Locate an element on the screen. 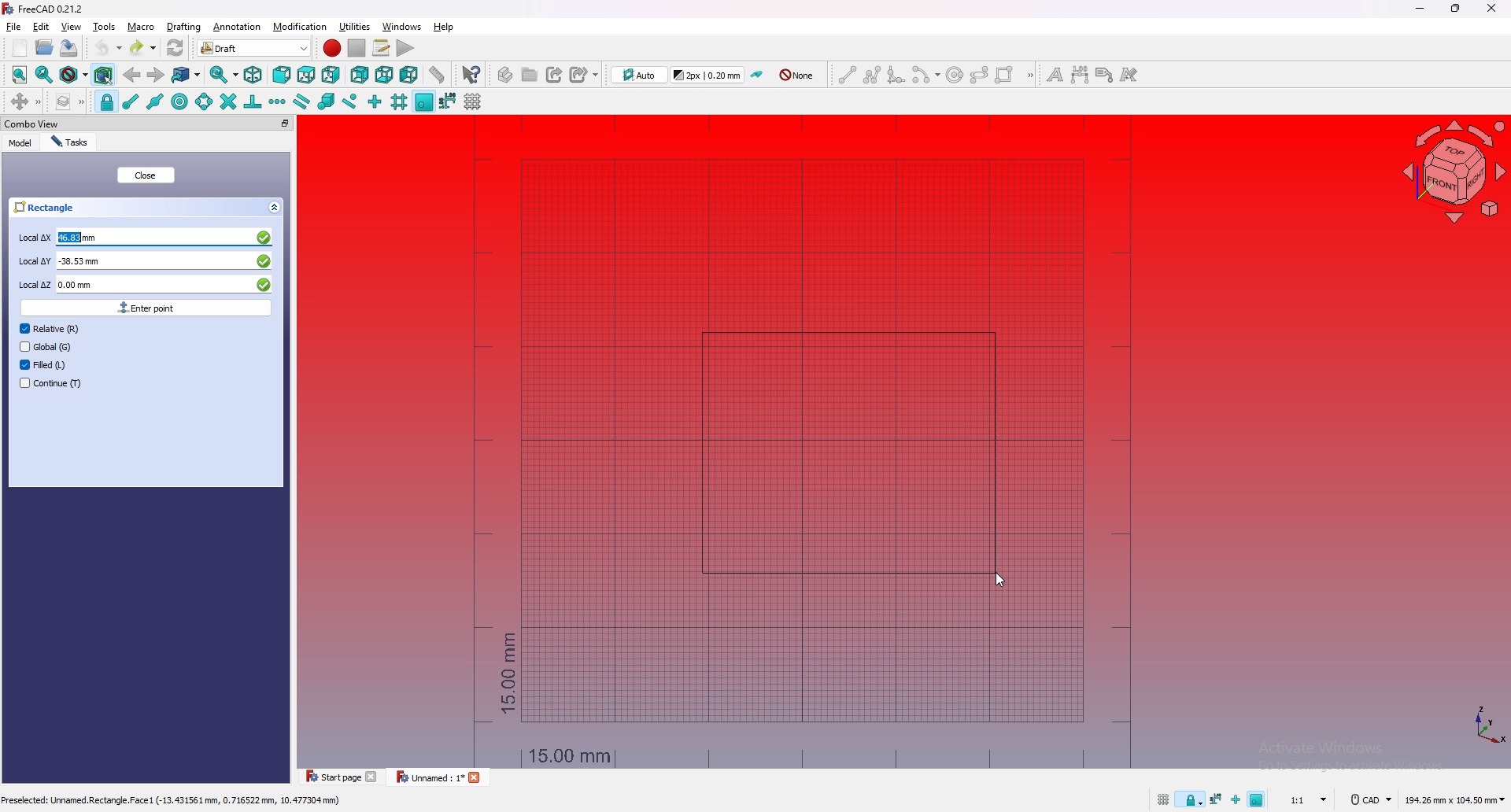 This screenshot has height=812, width=1511. forward is located at coordinates (156, 75).